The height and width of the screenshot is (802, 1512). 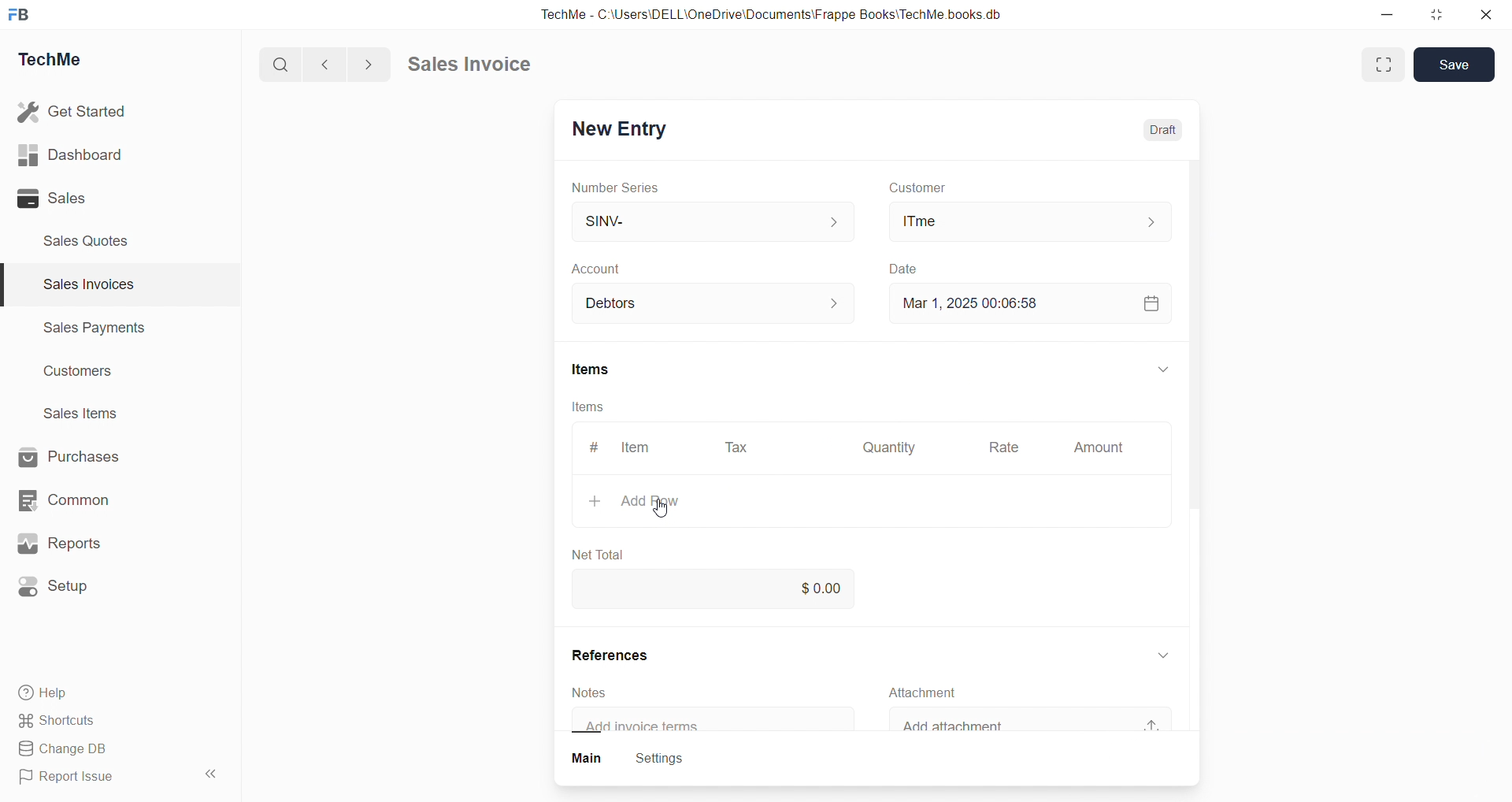 What do you see at coordinates (1392, 16) in the screenshot?
I see `Minimize` at bounding box center [1392, 16].